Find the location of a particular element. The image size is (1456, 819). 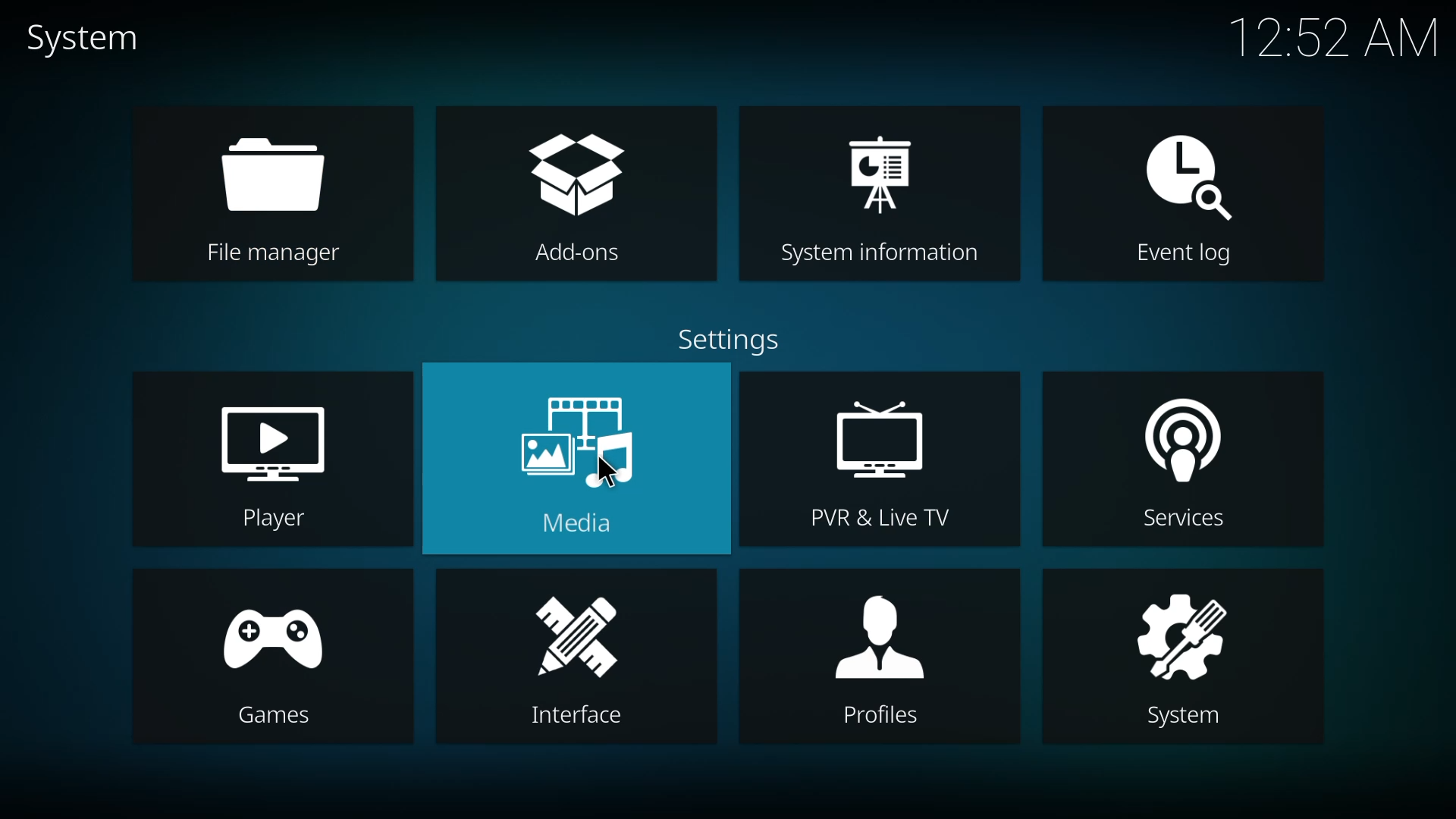

Player is located at coordinates (274, 519).